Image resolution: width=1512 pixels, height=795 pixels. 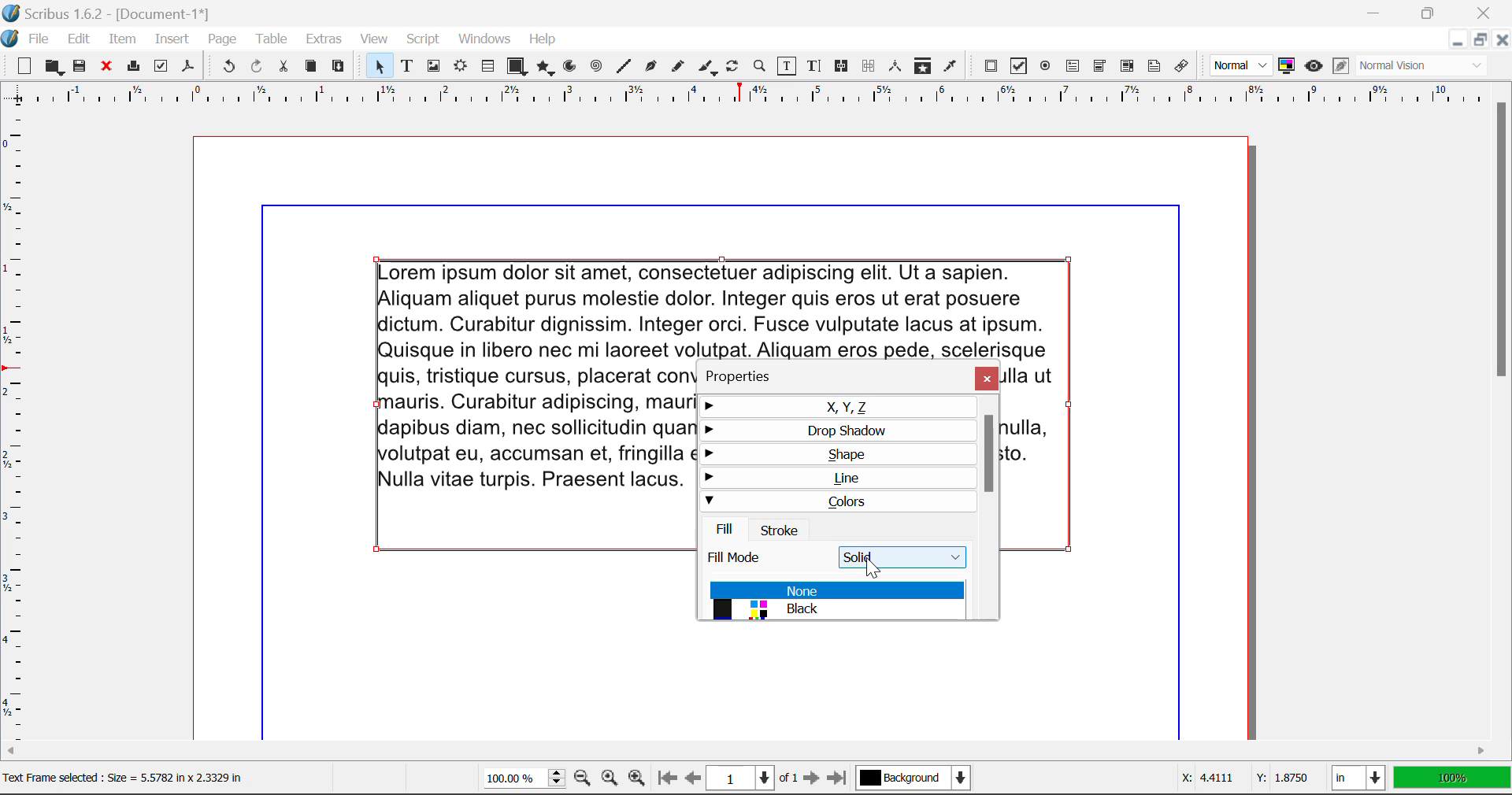 What do you see at coordinates (844, 66) in the screenshot?
I see `Link Frames` at bounding box center [844, 66].